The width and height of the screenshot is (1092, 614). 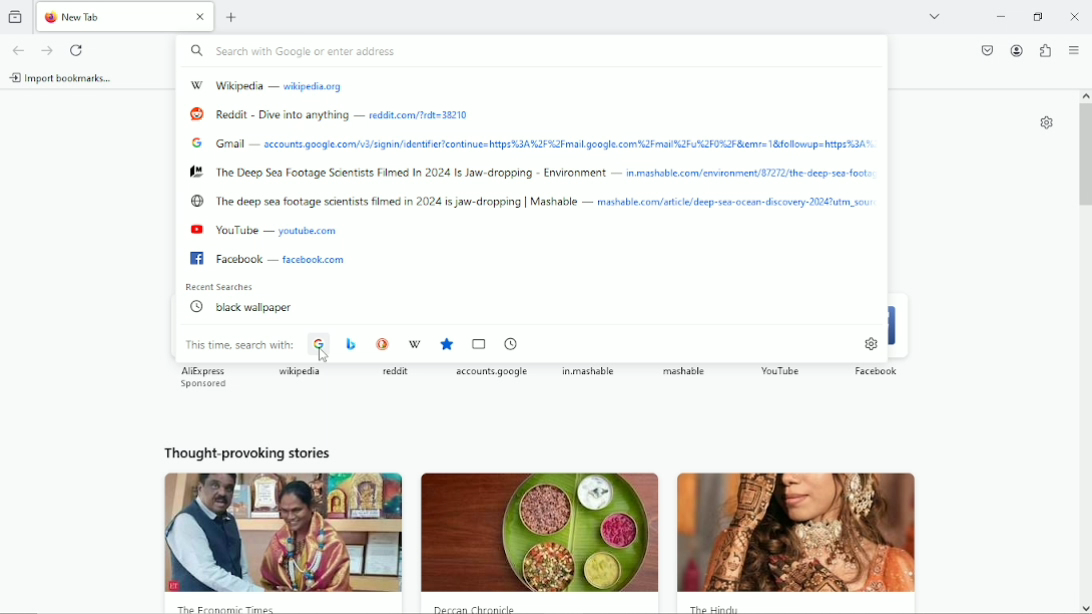 I want to click on reload current tab, so click(x=76, y=50).